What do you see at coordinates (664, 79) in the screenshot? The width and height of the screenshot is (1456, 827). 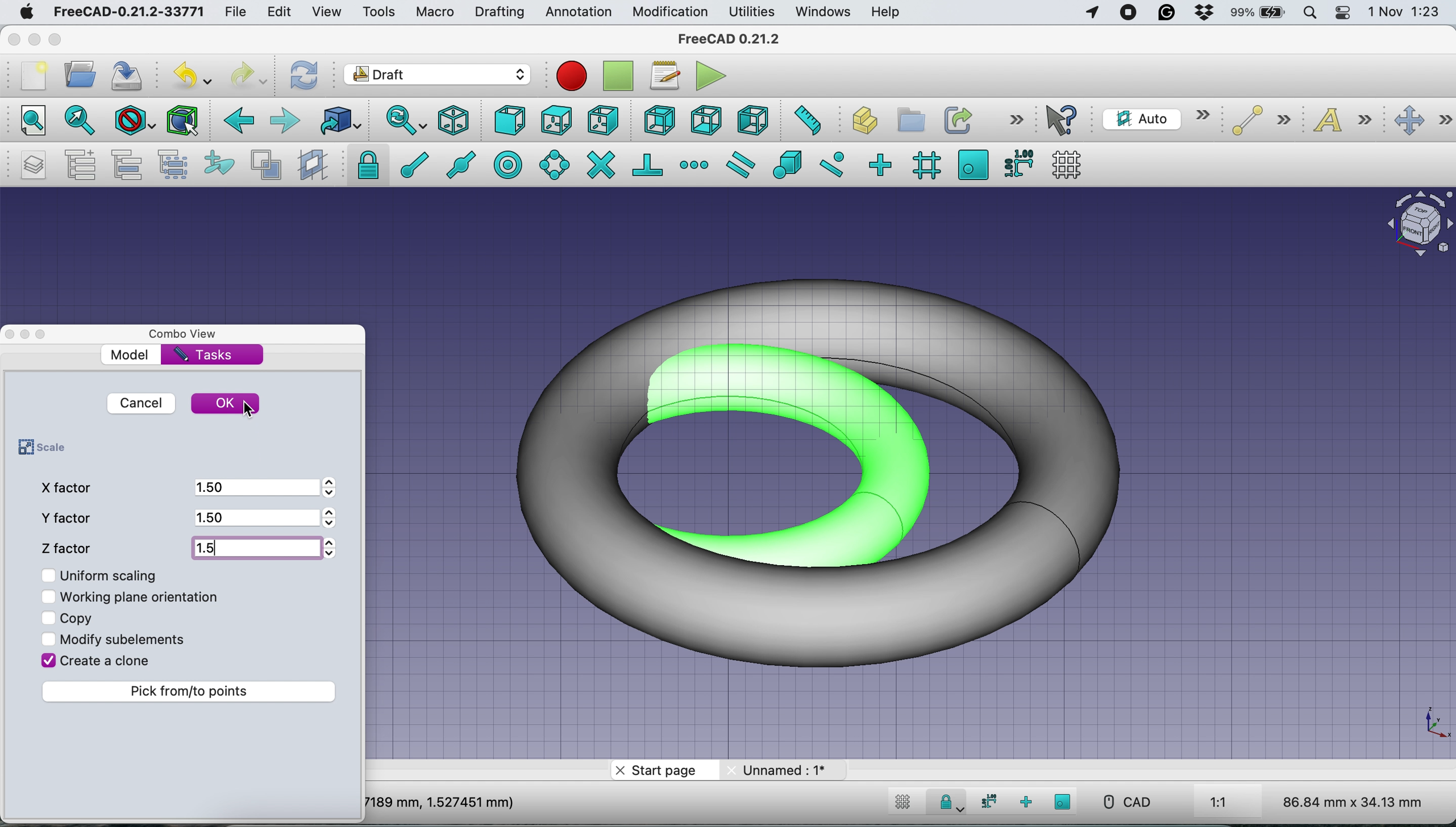 I see `macros` at bounding box center [664, 79].